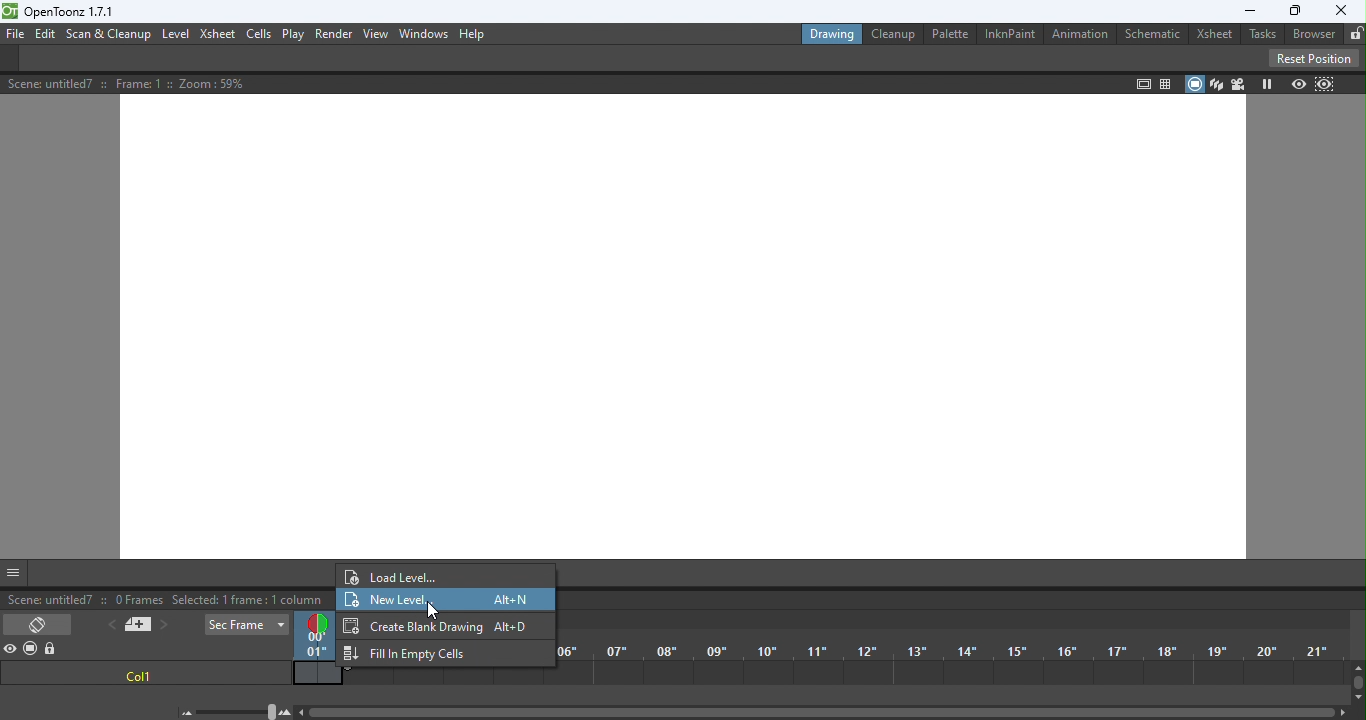  I want to click on Window , so click(424, 33).